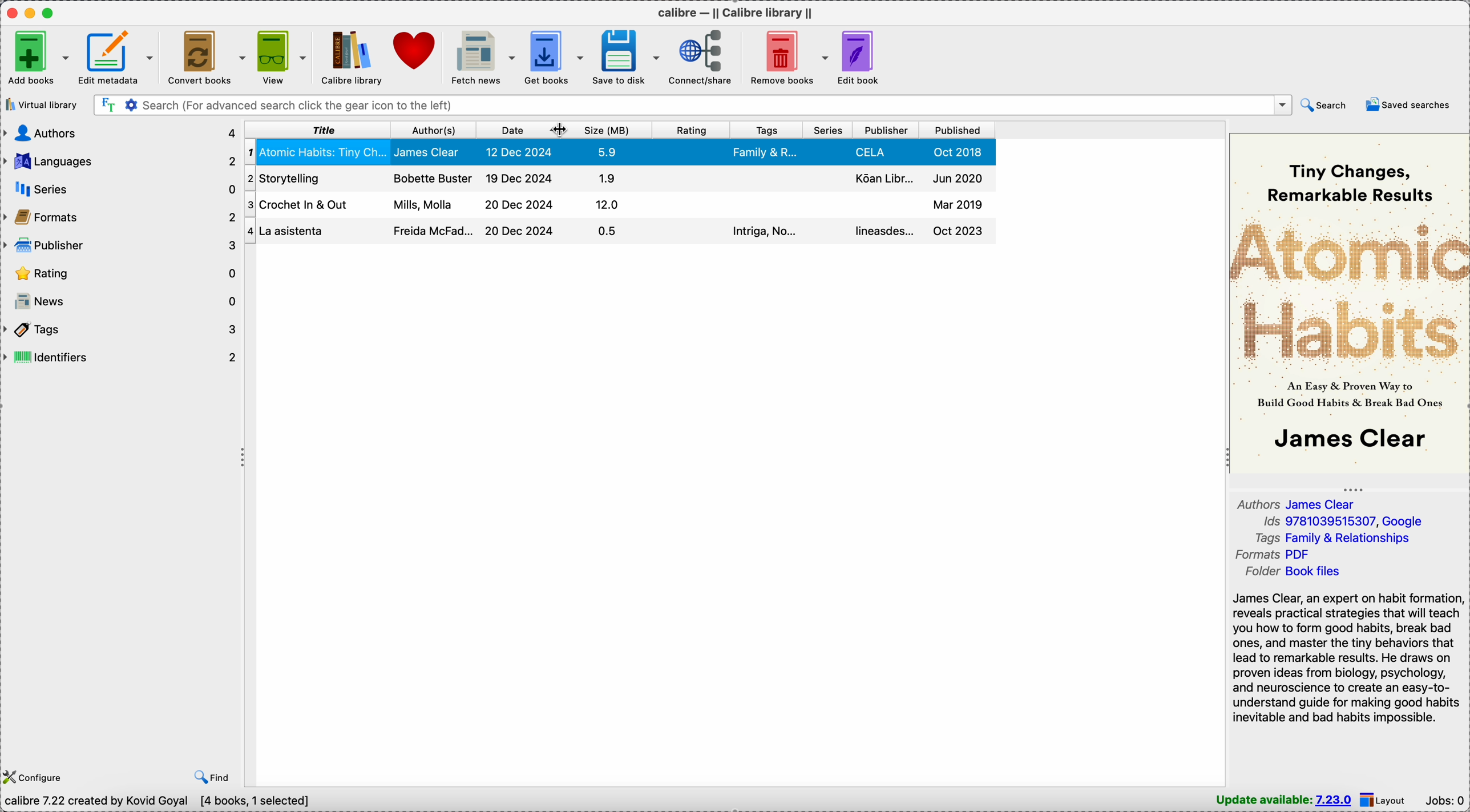 This screenshot has width=1470, height=812. I want to click on Jobs: 0, so click(1444, 800).